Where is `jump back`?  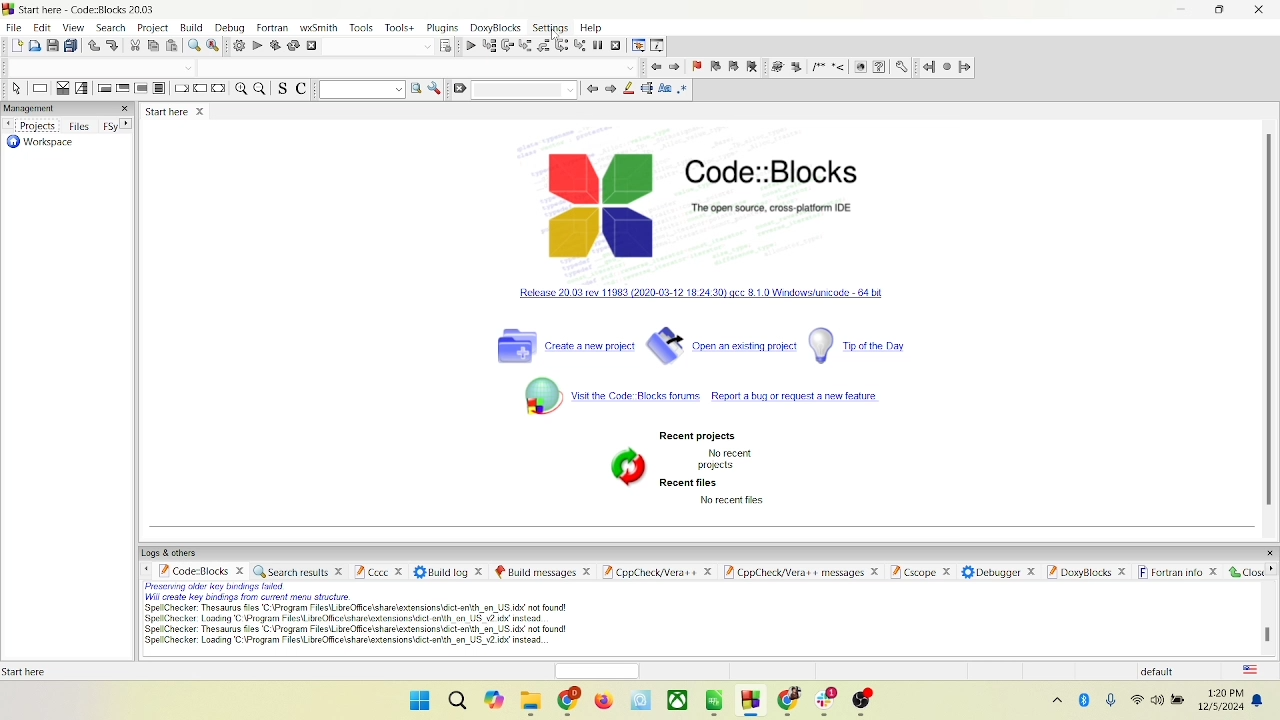 jump back is located at coordinates (928, 66).